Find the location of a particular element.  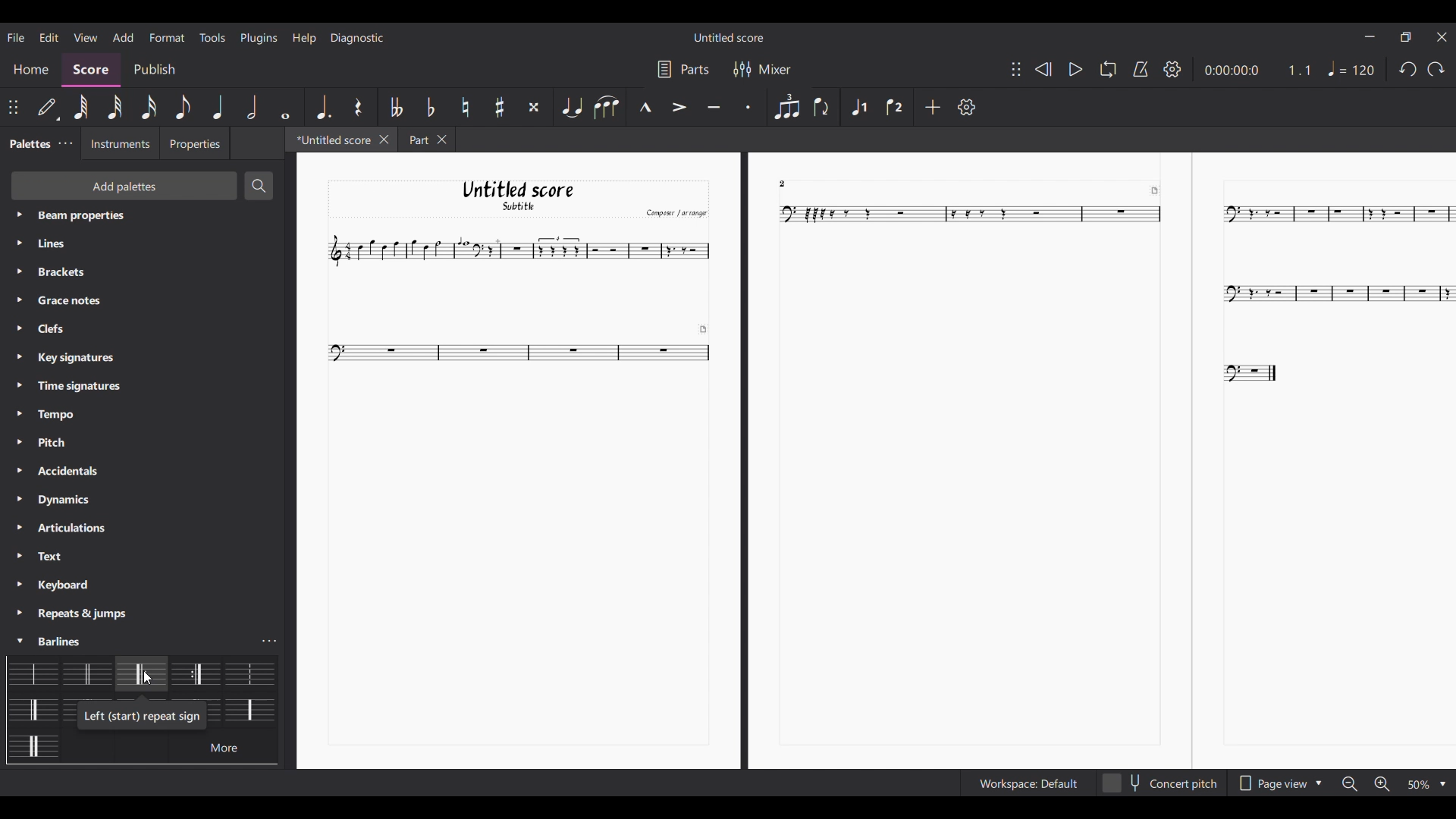

Diagnostic menu is located at coordinates (358, 38).